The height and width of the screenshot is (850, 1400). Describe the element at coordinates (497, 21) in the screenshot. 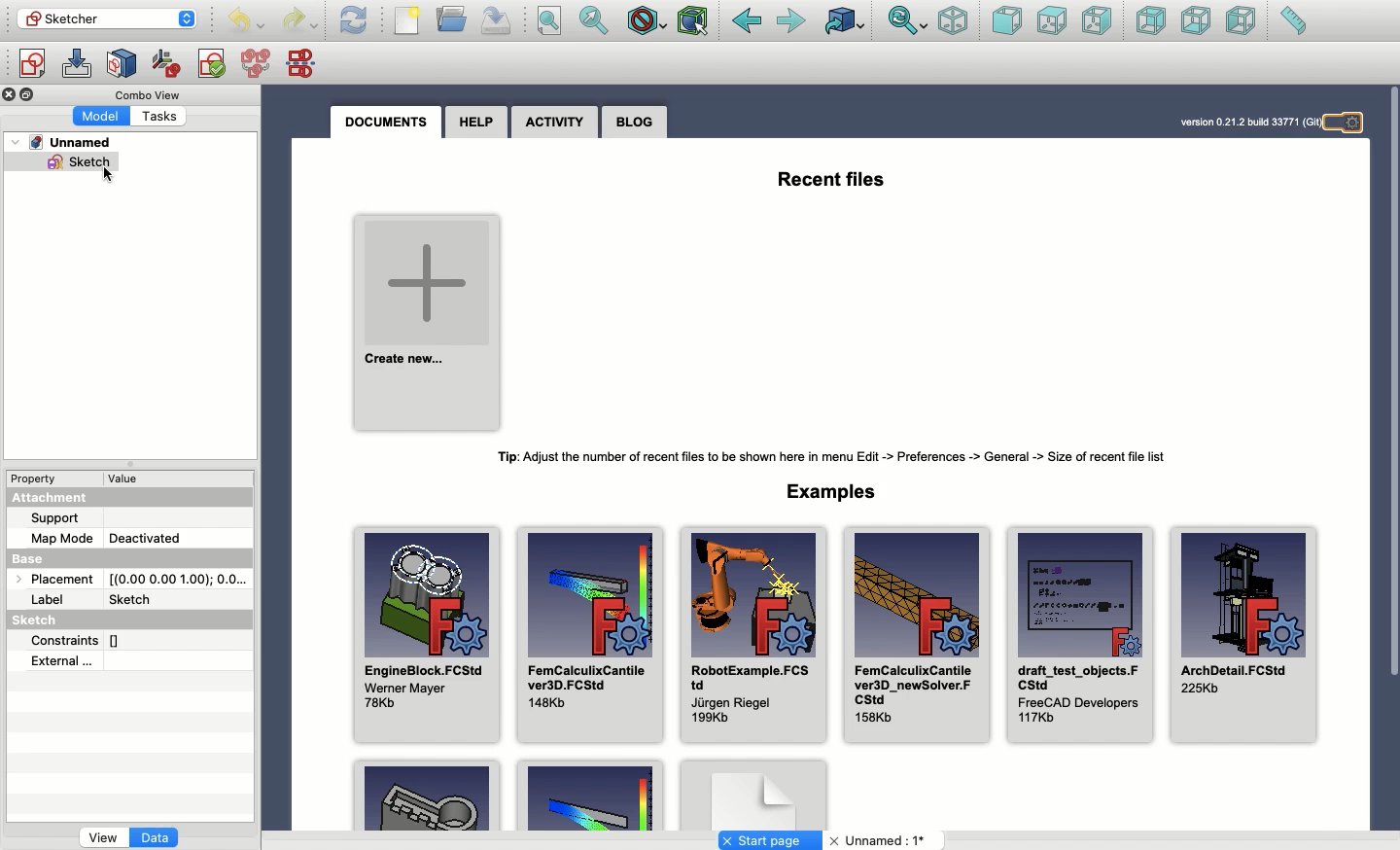

I see `Save` at that location.